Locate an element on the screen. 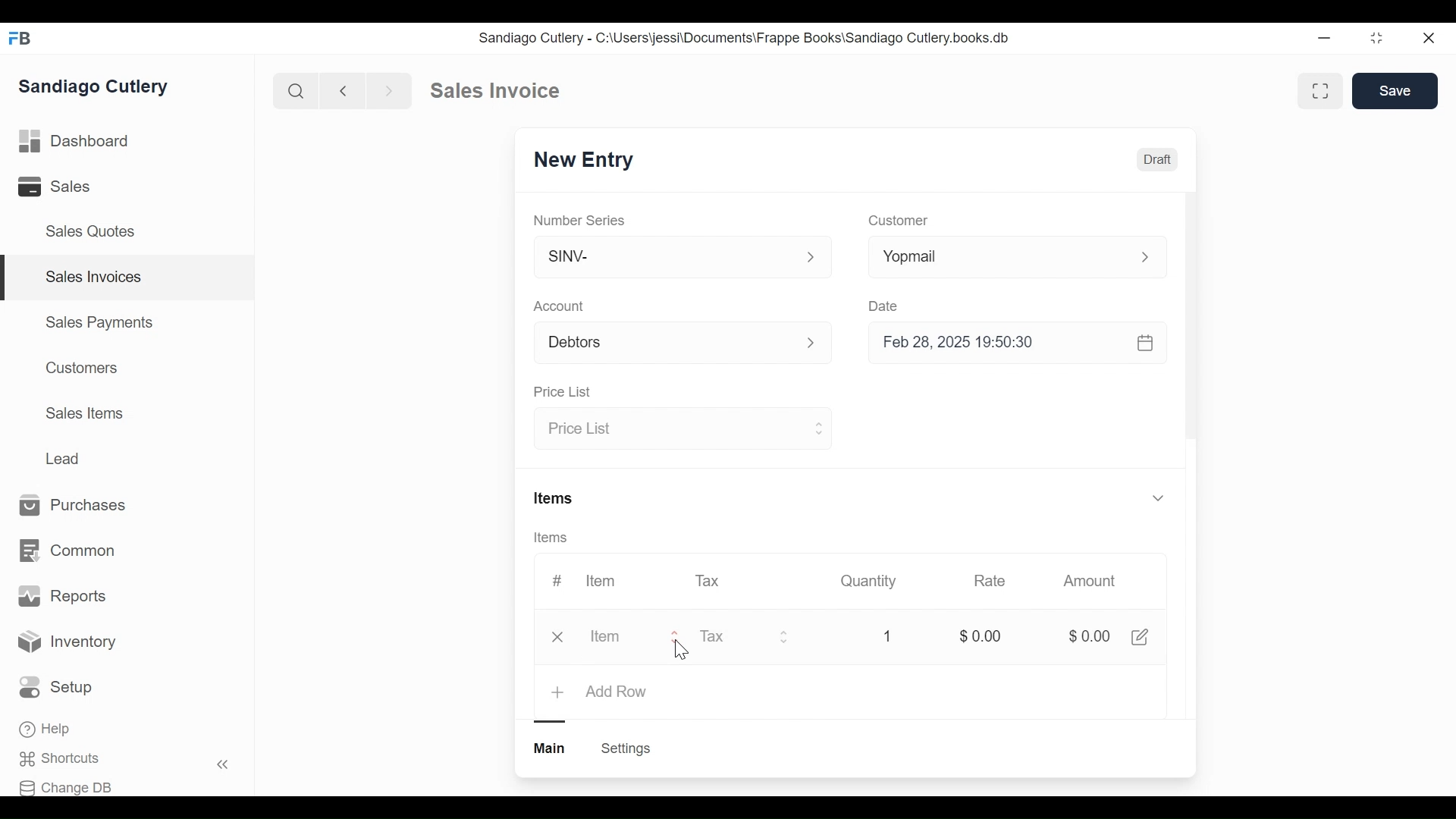 The width and height of the screenshot is (1456, 819). Sales Invoices is located at coordinates (94, 278).